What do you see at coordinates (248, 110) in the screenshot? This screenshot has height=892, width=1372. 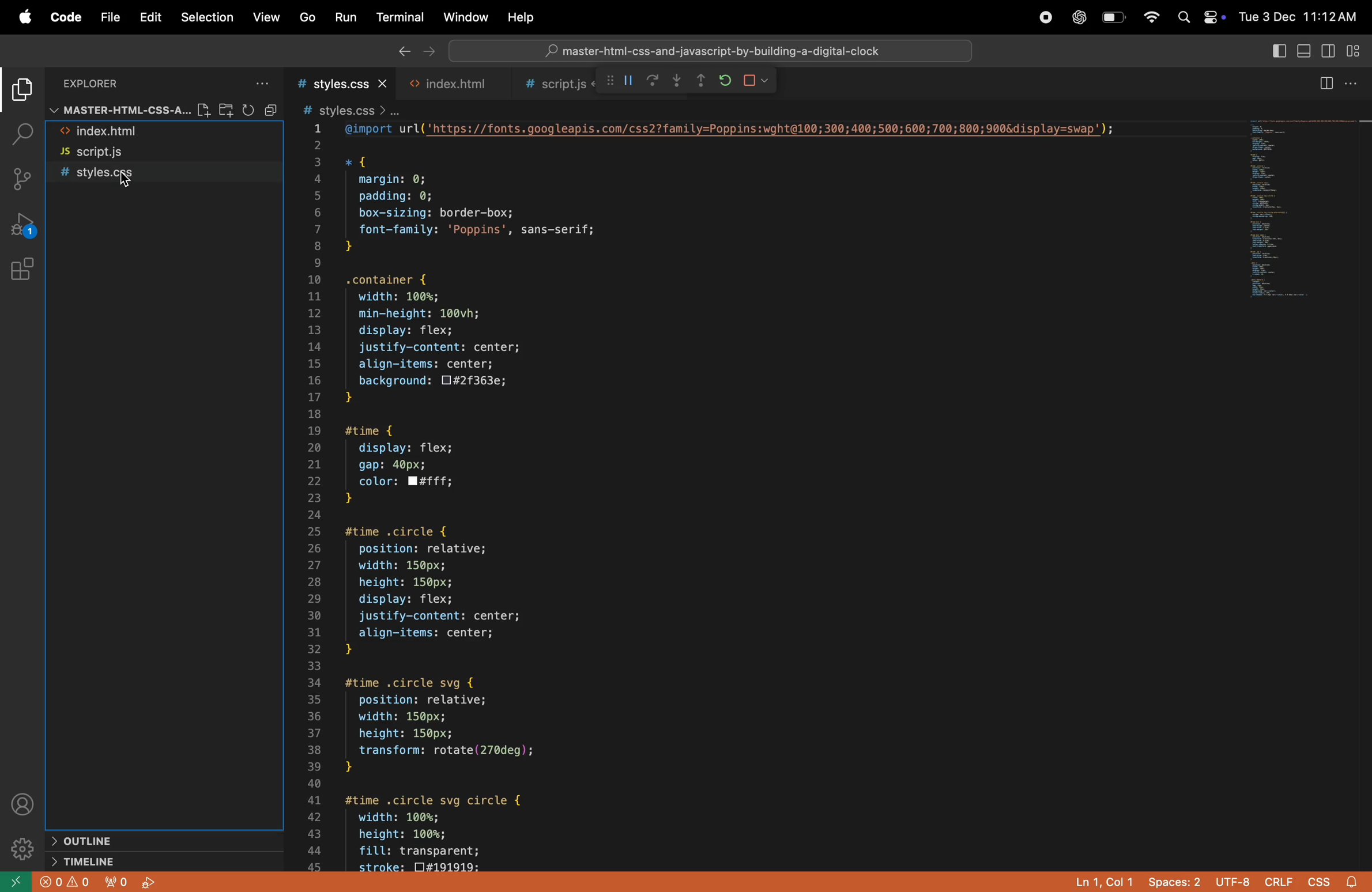 I see `refresh explorer` at bounding box center [248, 110].